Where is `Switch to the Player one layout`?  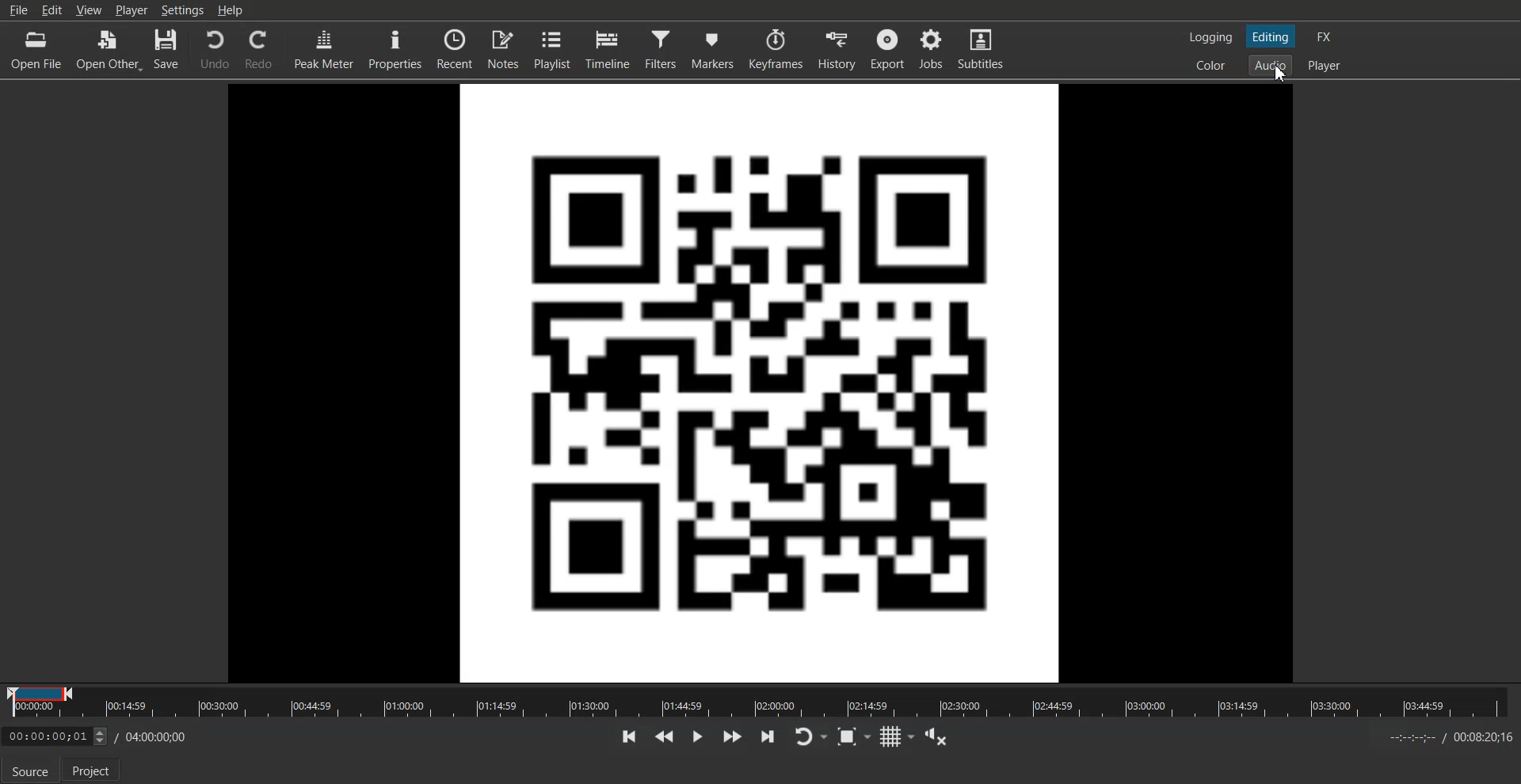
Switch to the Player one layout is located at coordinates (1324, 66).